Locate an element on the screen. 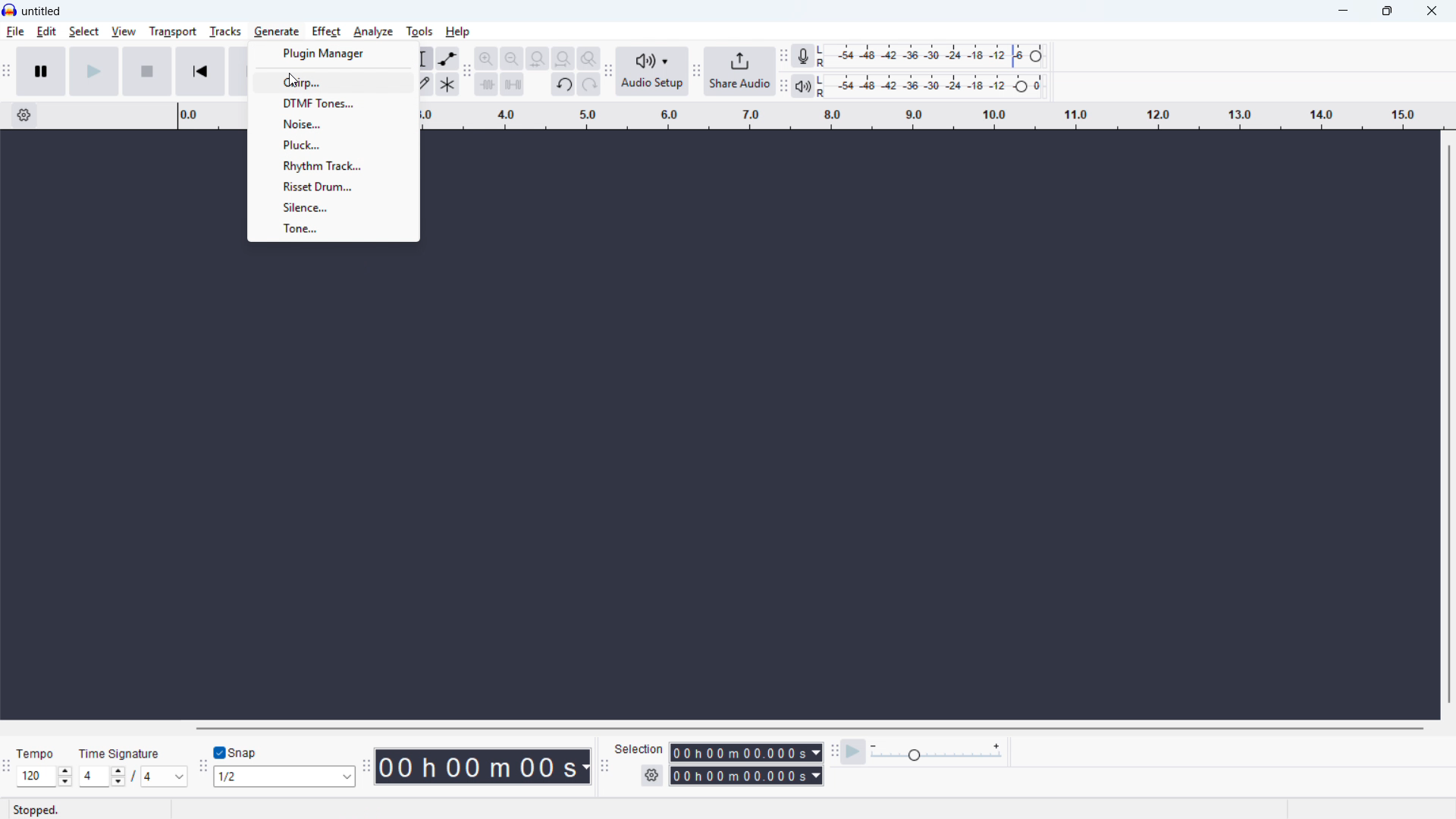 This screenshot has height=819, width=1456. Time signature is located at coordinates (121, 753).